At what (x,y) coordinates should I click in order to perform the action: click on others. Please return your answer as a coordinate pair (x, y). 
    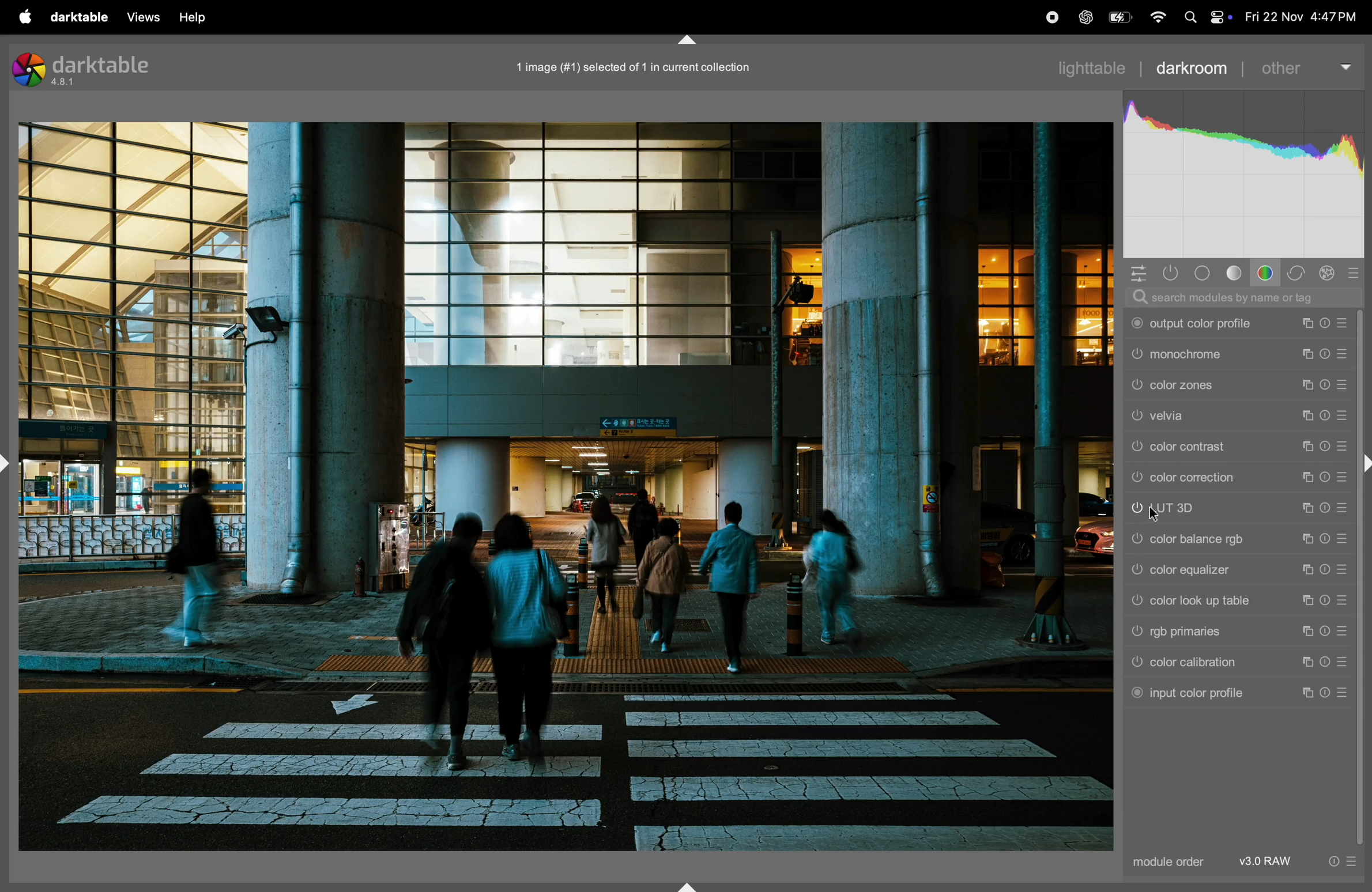
    Looking at the image, I should click on (1308, 66).